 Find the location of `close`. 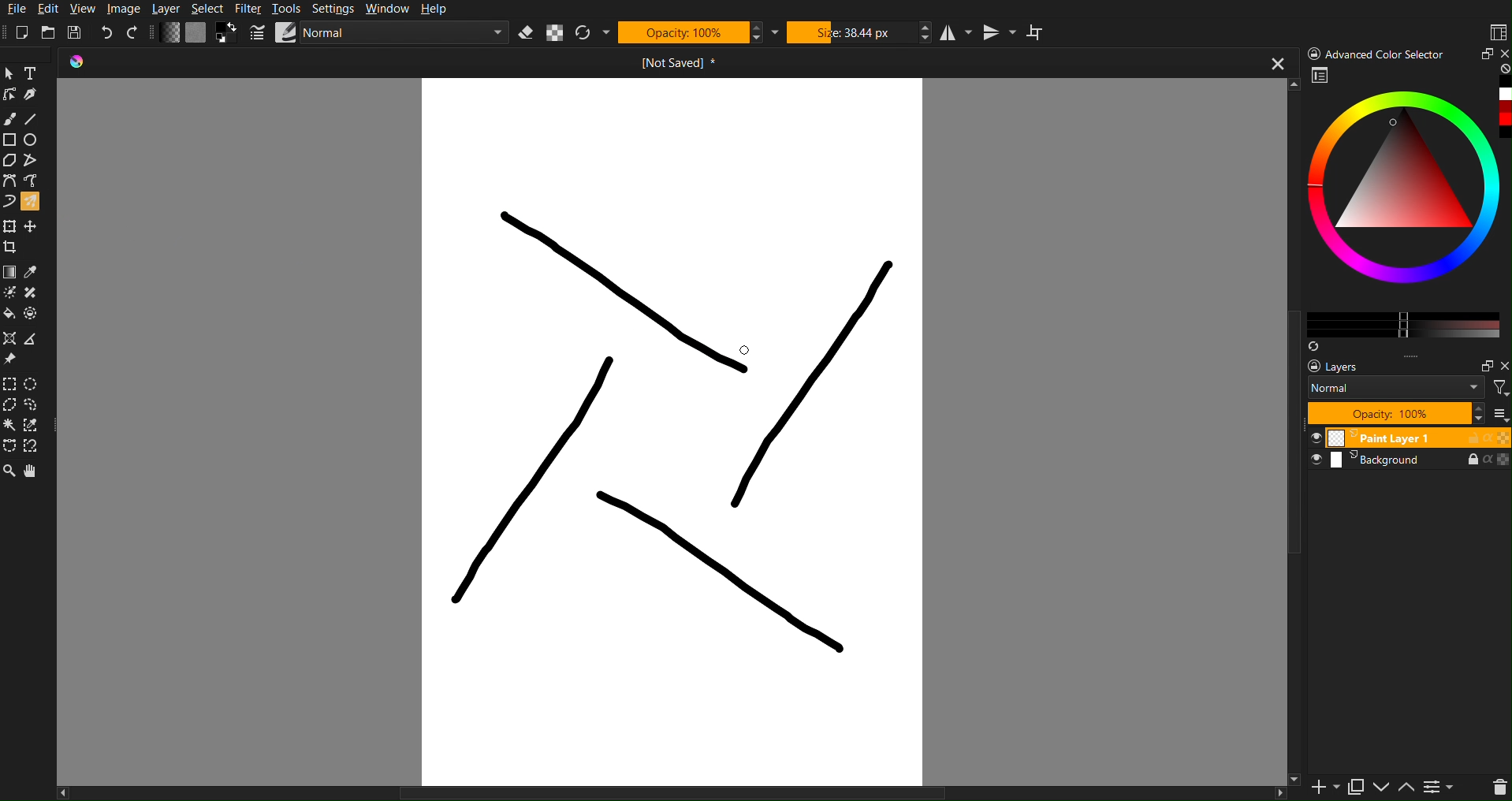

close is located at coordinates (1503, 52).